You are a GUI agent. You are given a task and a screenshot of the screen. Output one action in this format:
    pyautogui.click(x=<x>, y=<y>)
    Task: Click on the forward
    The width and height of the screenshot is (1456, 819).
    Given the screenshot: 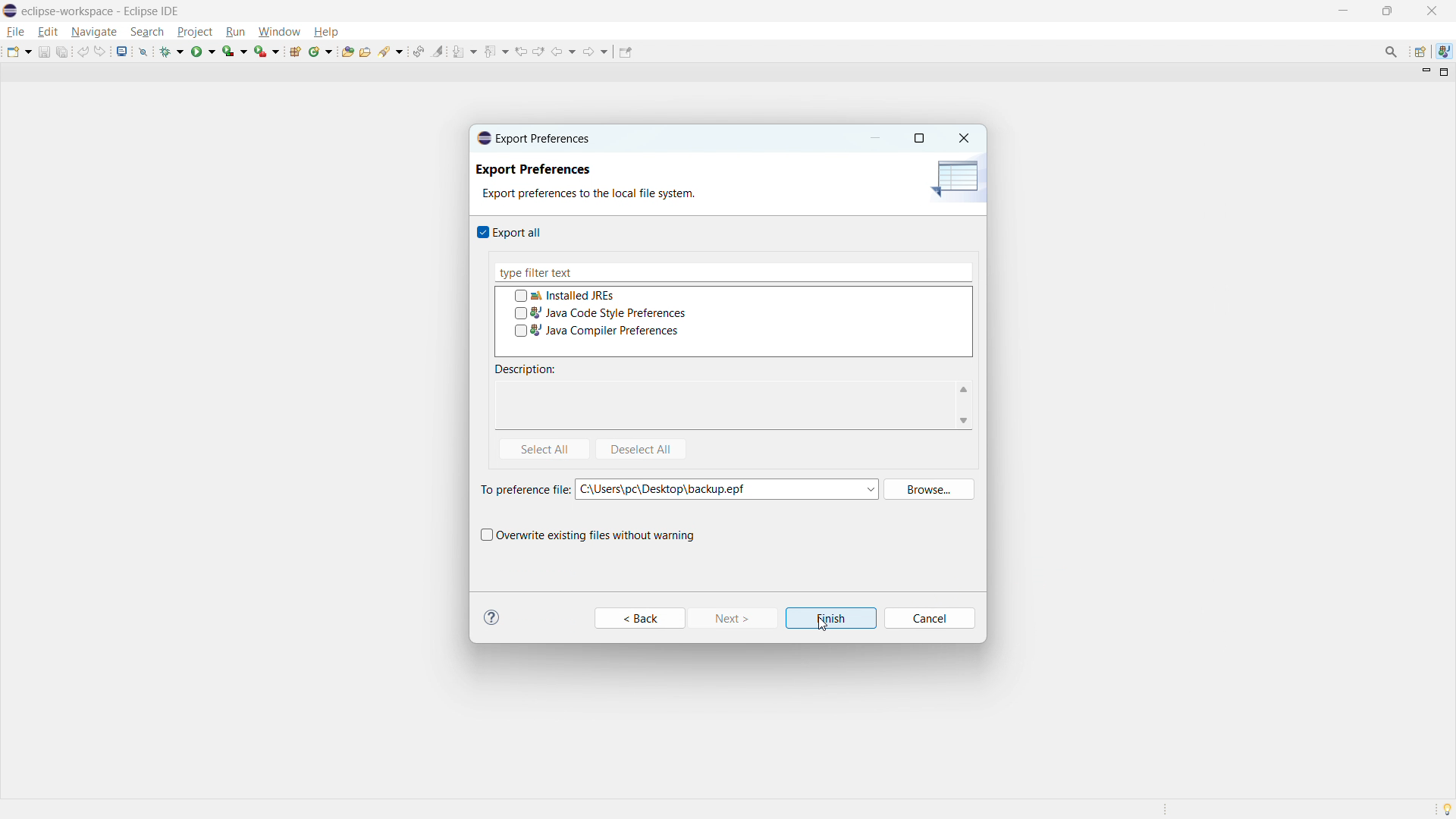 What is the action you would take?
    pyautogui.click(x=596, y=52)
    